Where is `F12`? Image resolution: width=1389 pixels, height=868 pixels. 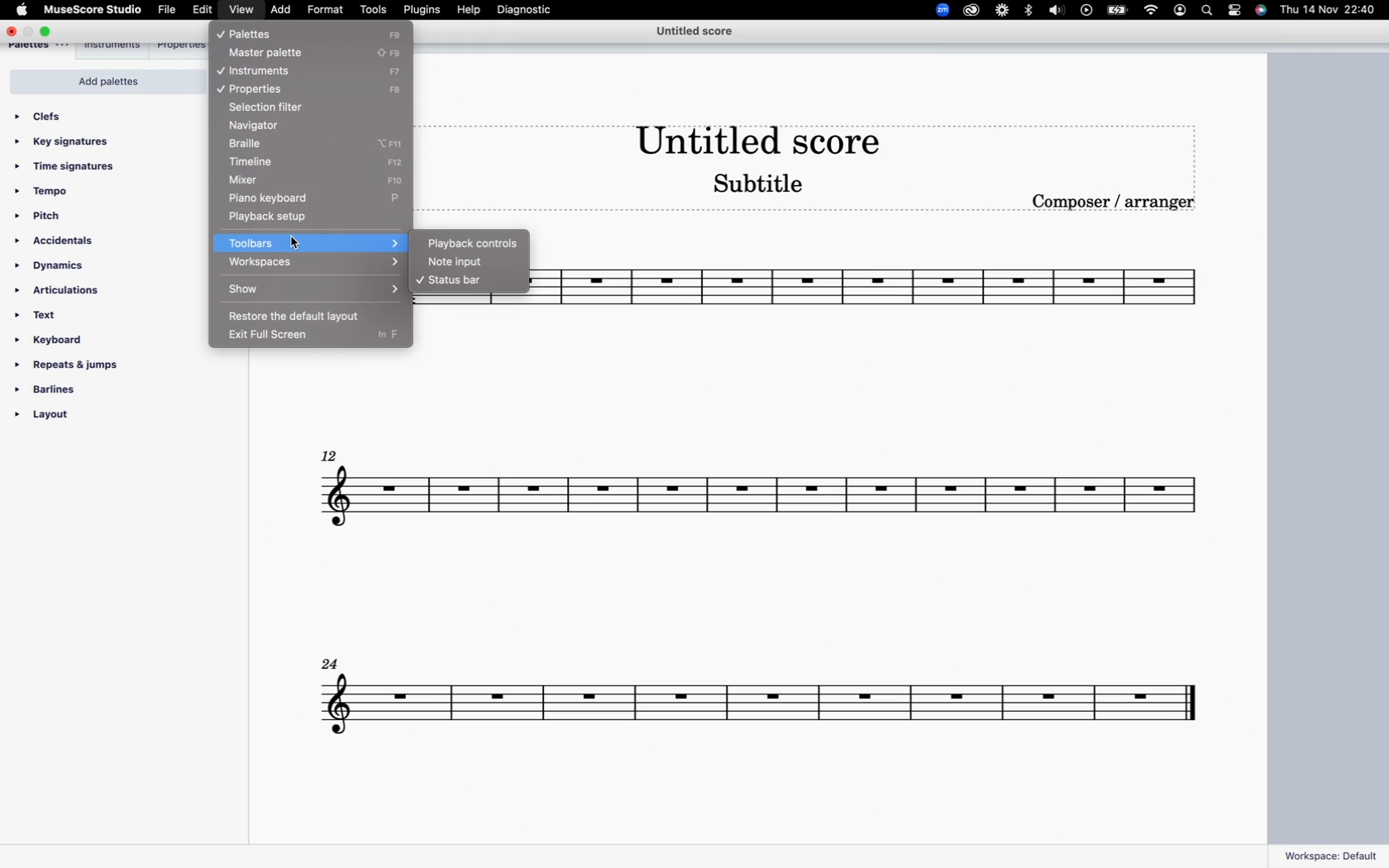 F12 is located at coordinates (402, 161).